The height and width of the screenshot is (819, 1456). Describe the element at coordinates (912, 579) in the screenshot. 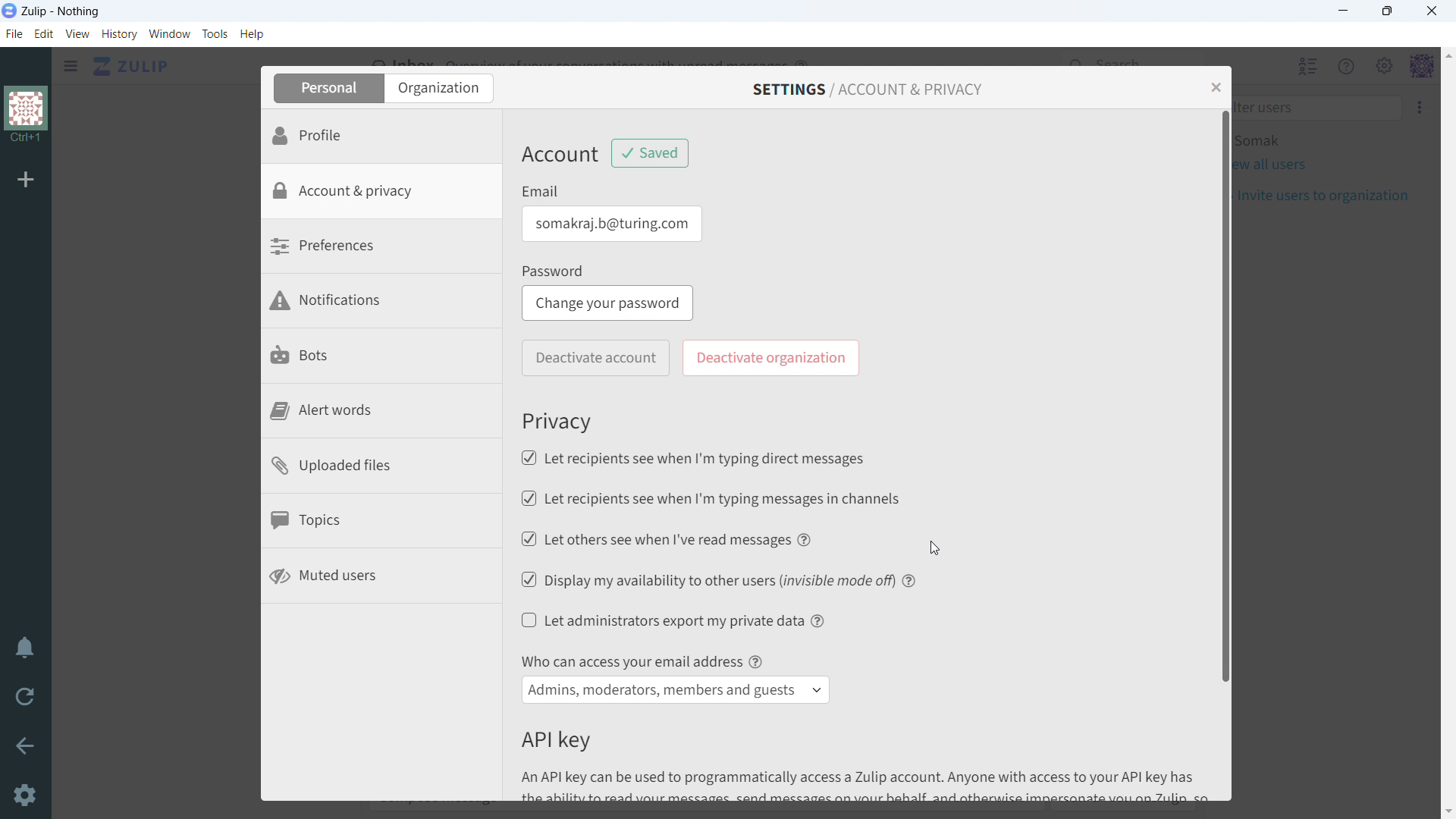

I see `help` at that location.